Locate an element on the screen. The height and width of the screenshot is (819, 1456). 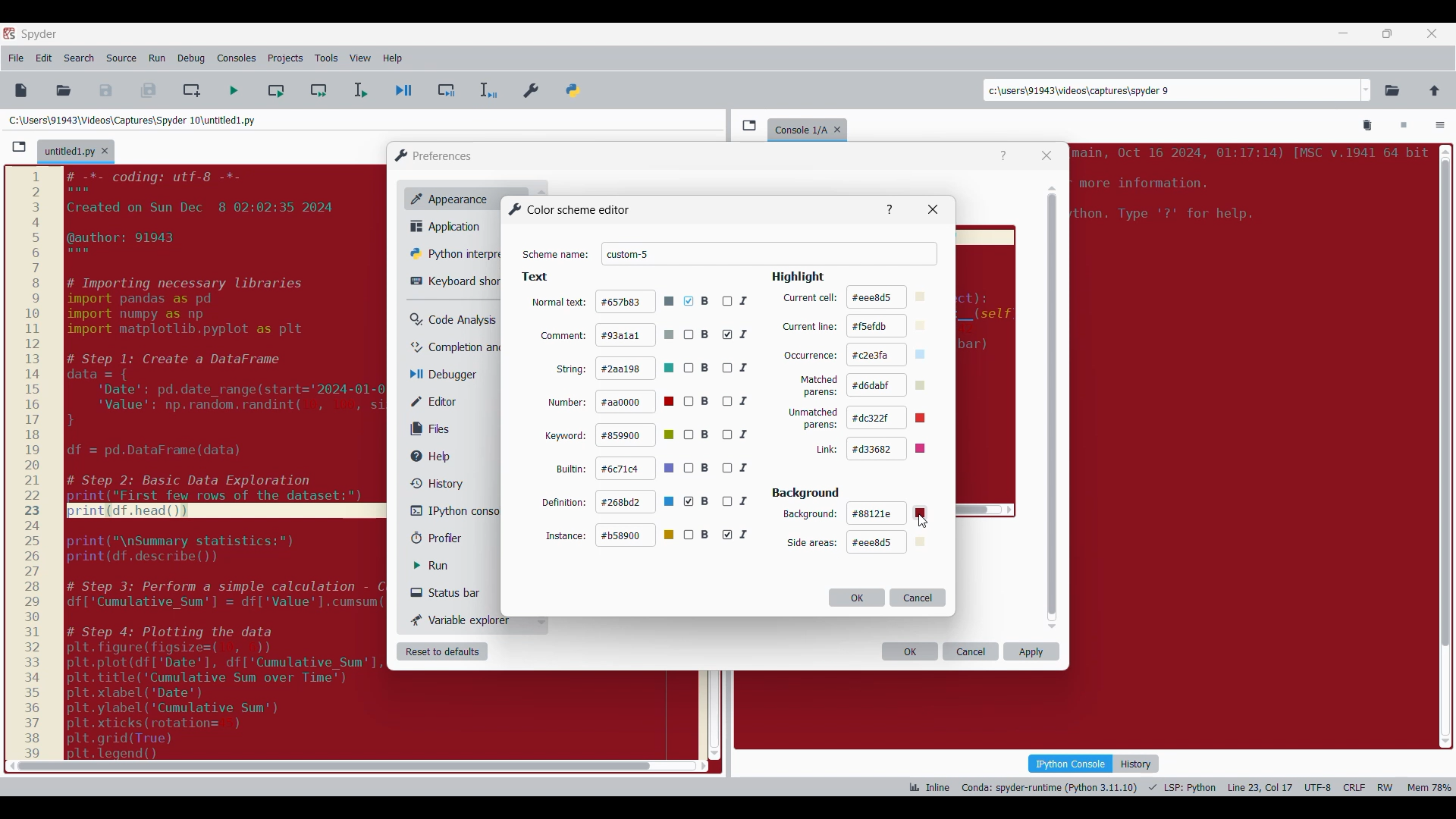
d6dabf is located at coordinates (890, 384).